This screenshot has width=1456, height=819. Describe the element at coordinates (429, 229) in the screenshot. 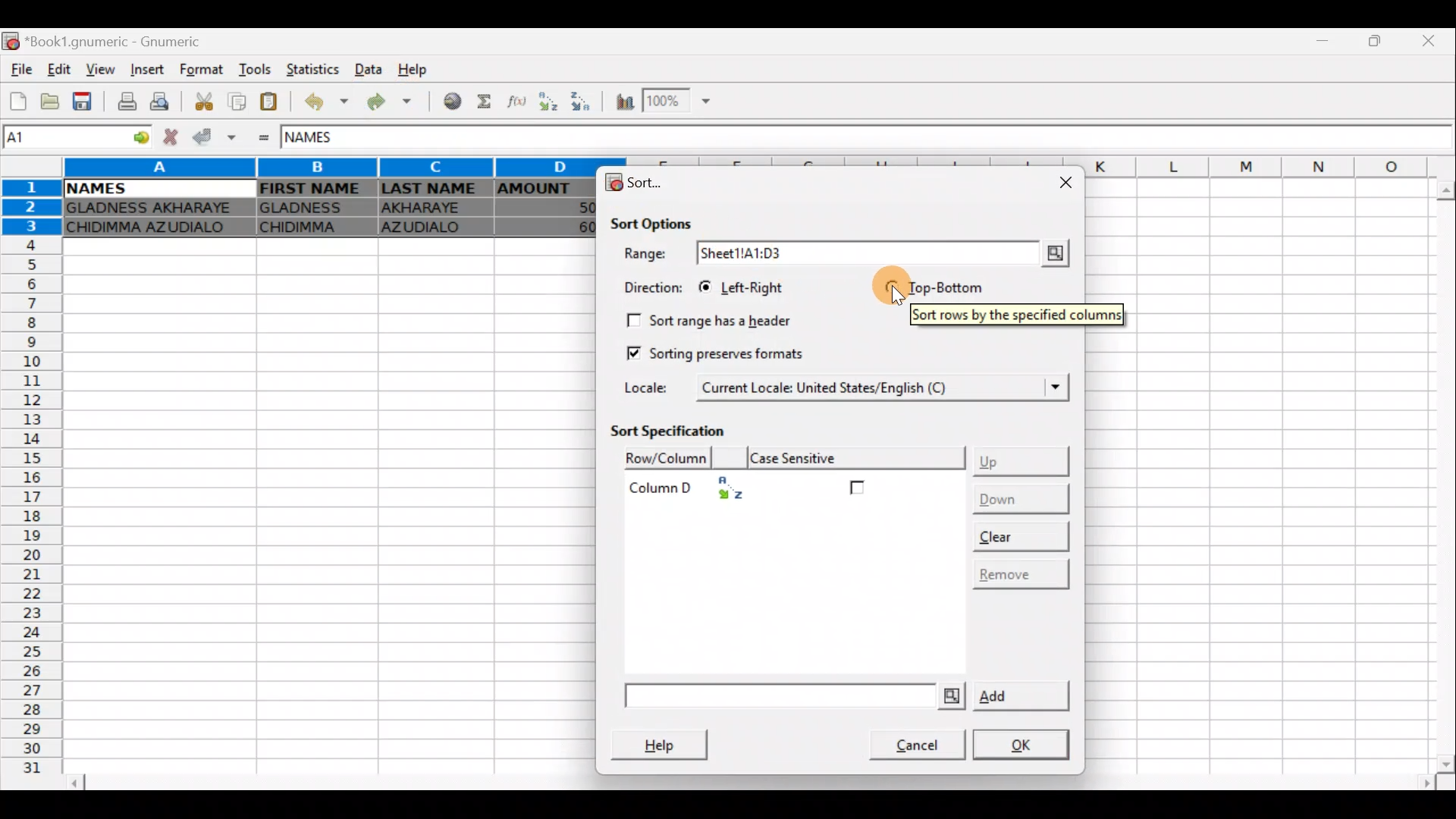

I see `AZUDIALO` at that location.